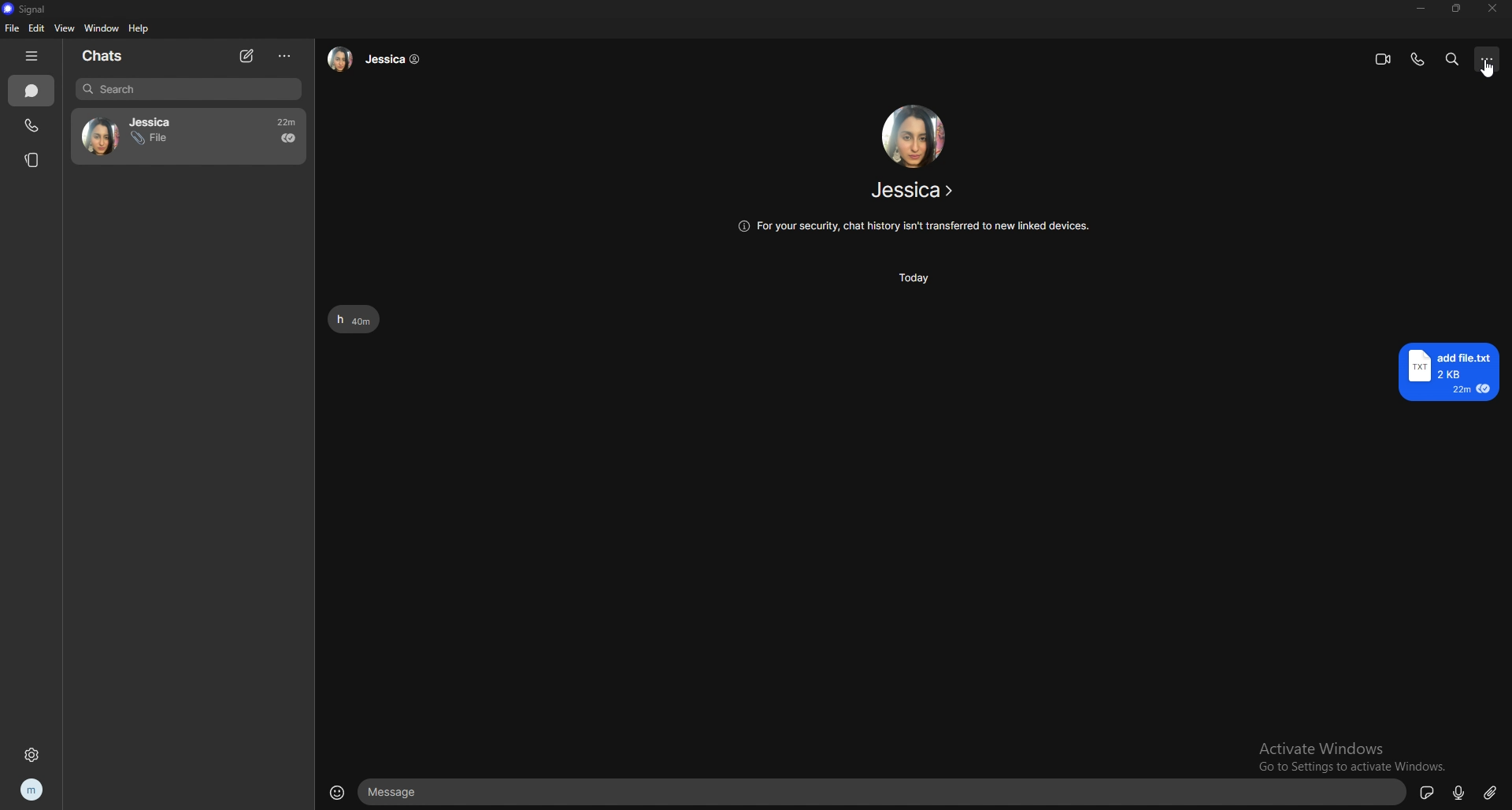  What do you see at coordinates (34, 57) in the screenshot?
I see `hide tab` at bounding box center [34, 57].